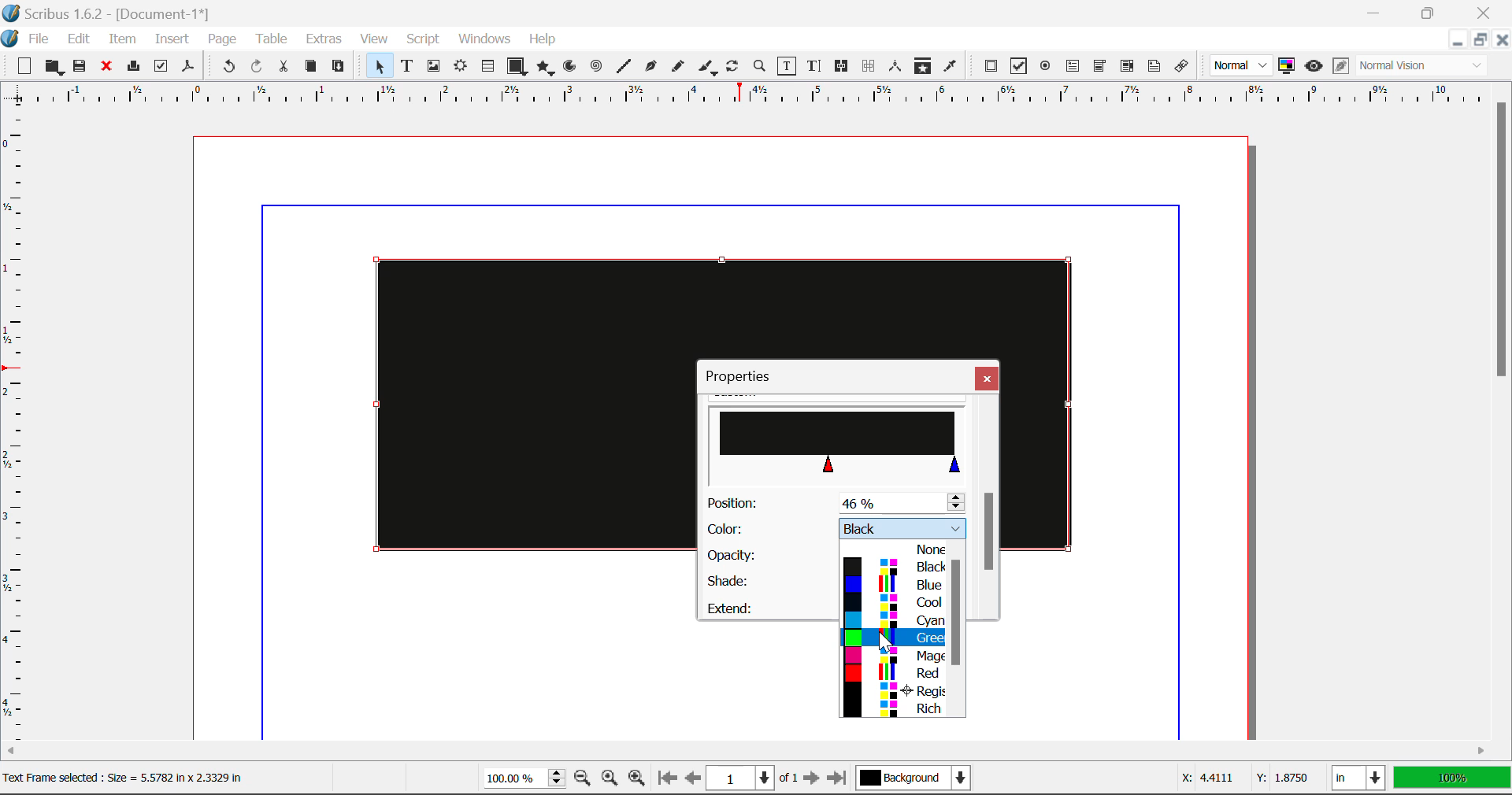  I want to click on Background, so click(917, 780).